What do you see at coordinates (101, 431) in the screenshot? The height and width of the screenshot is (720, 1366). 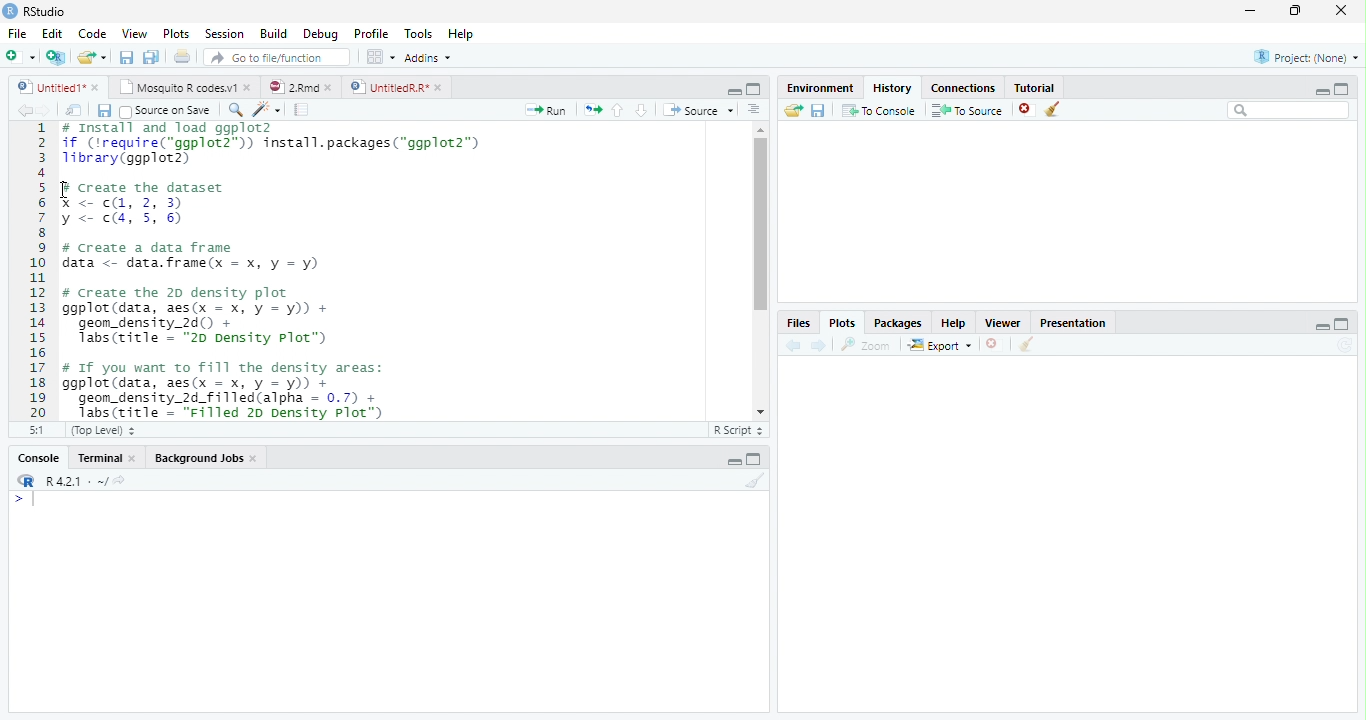 I see `(Top Level)` at bounding box center [101, 431].